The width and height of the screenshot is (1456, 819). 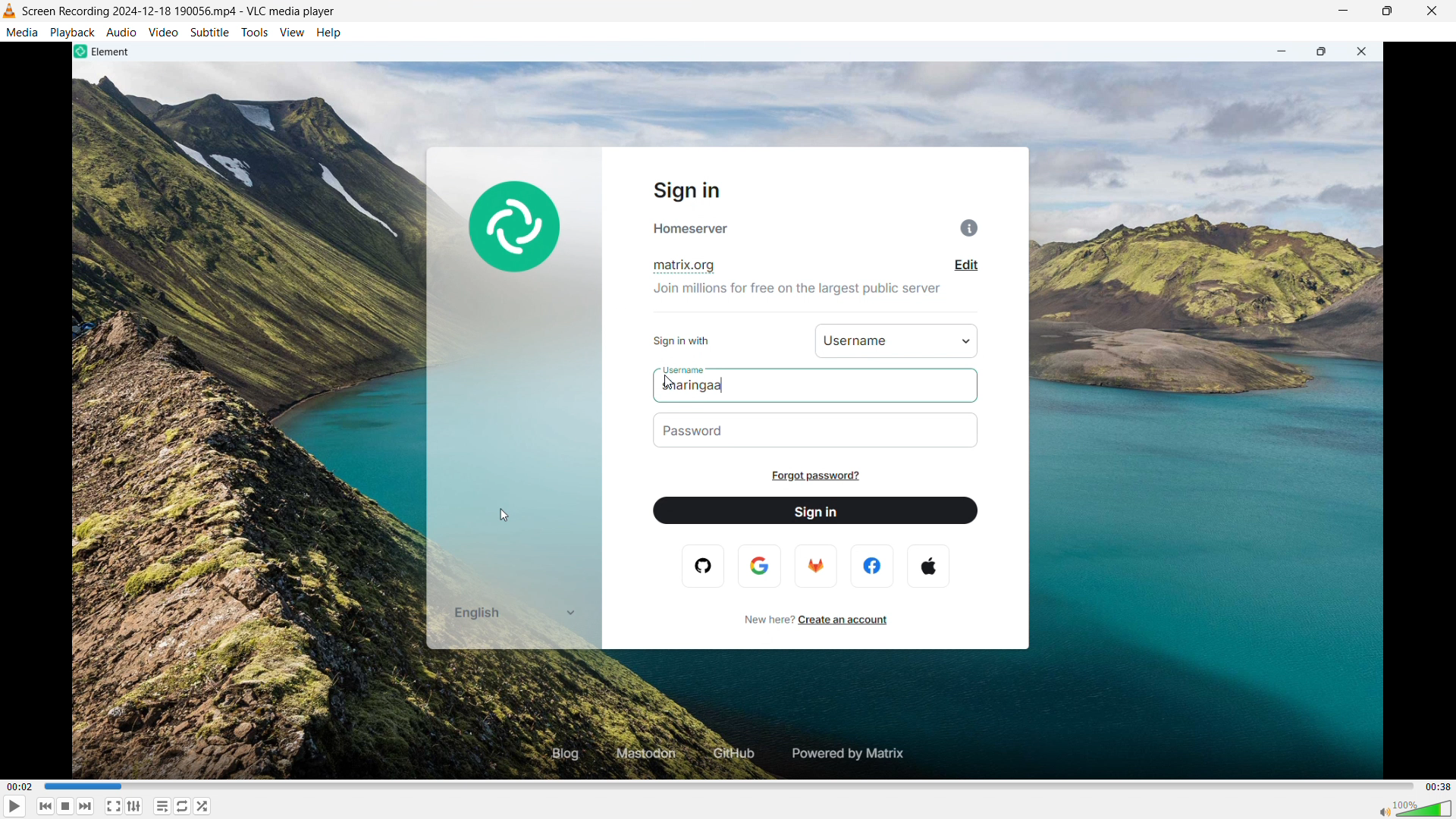 I want to click on minimize, so click(x=1341, y=10).